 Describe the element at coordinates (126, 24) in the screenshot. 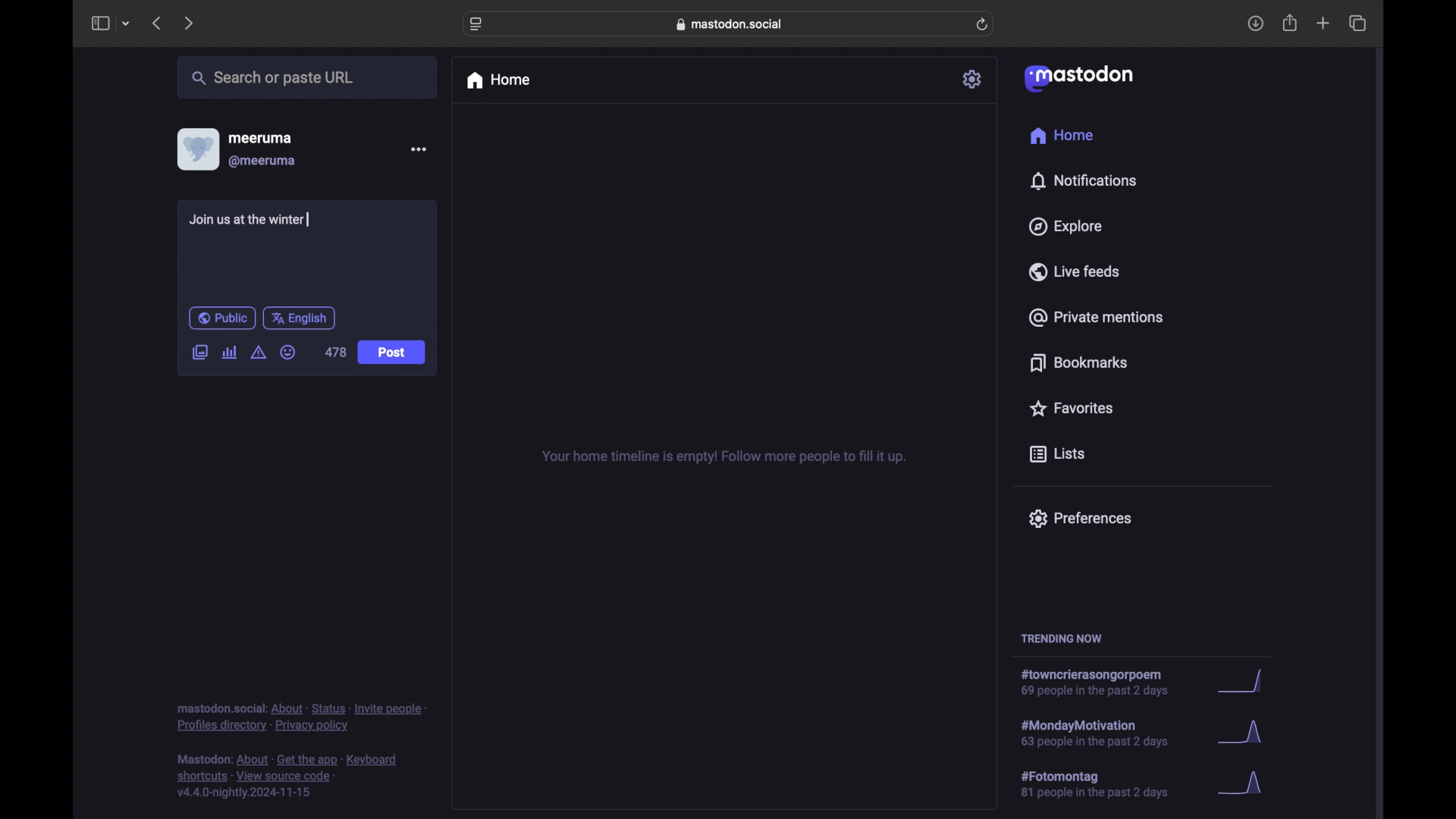

I see `tab group picker` at that location.